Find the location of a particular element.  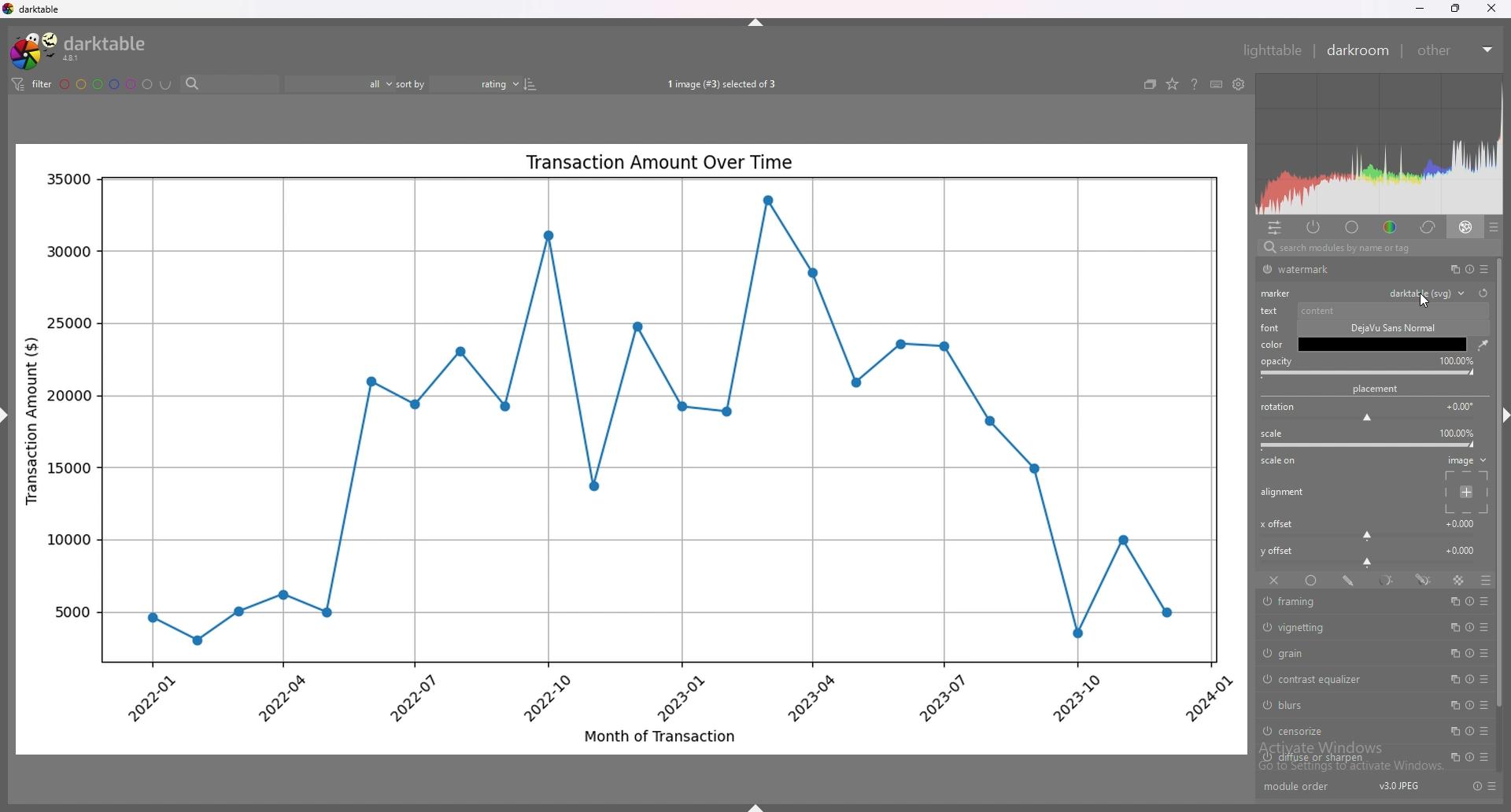

placement is located at coordinates (1377, 389).